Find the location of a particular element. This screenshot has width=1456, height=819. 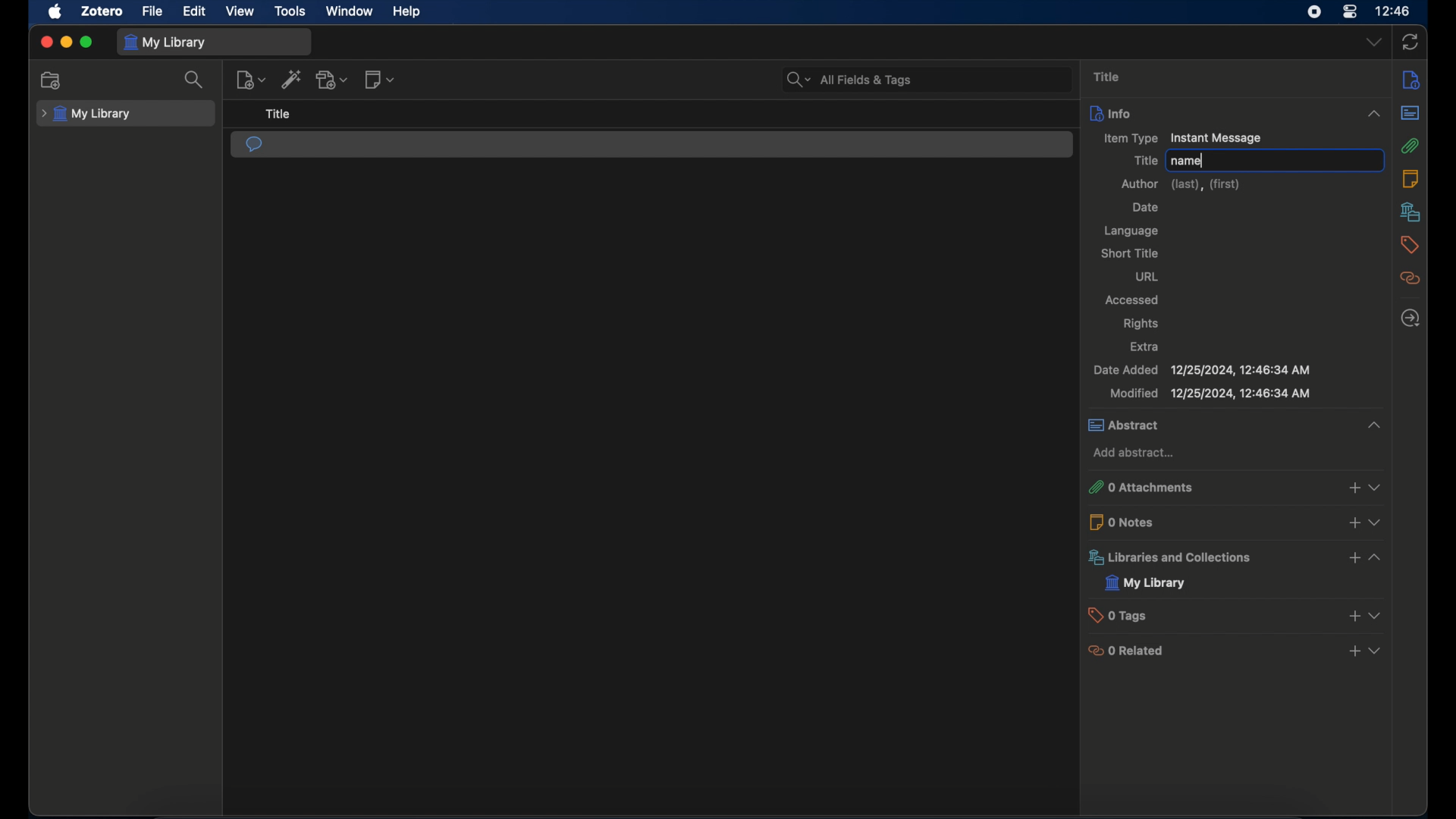

title is located at coordinates (1145, 160).